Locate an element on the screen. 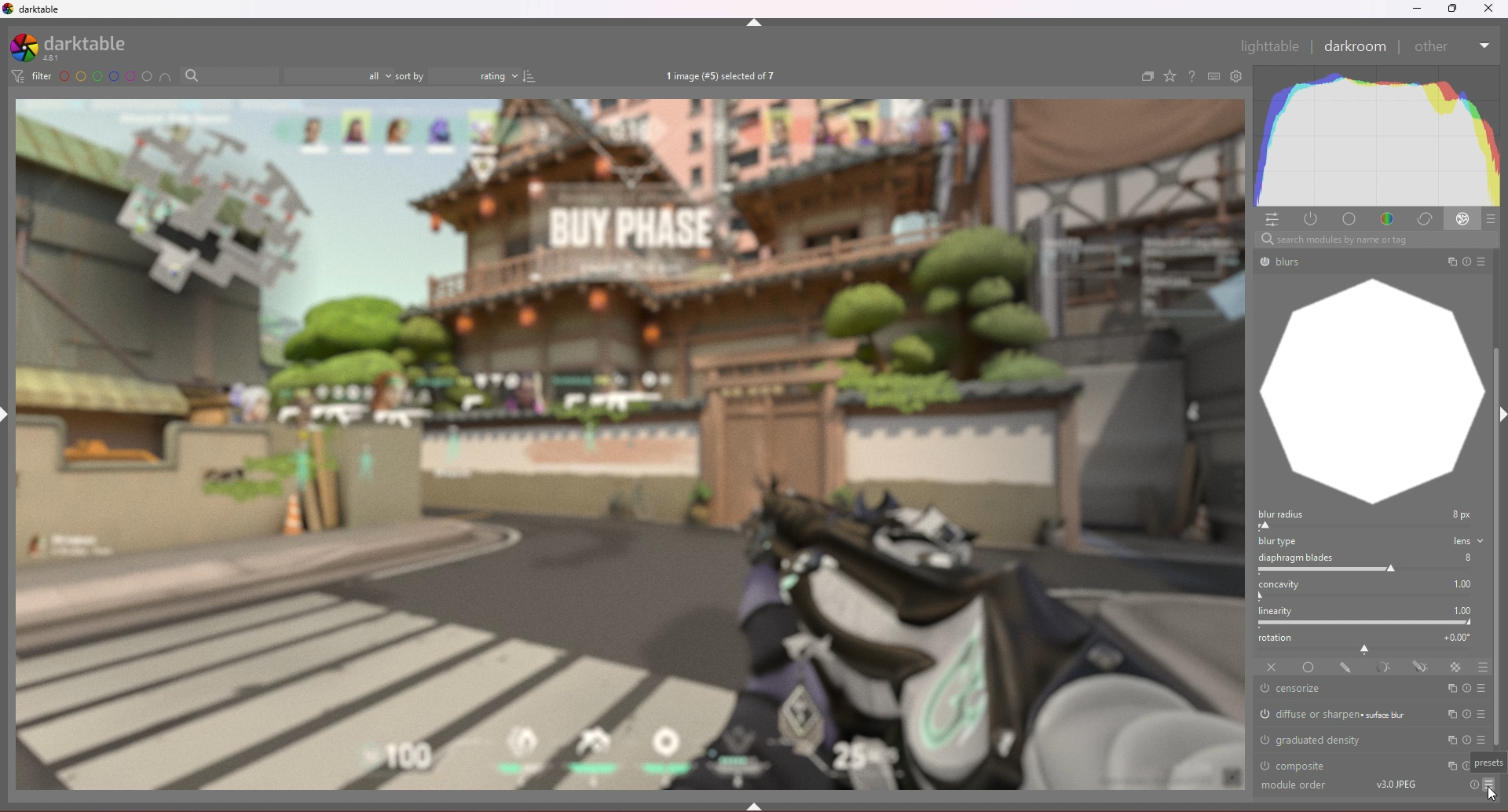 This screenshot has width=1508, height=812. photo is located at coordinates (630, 444).